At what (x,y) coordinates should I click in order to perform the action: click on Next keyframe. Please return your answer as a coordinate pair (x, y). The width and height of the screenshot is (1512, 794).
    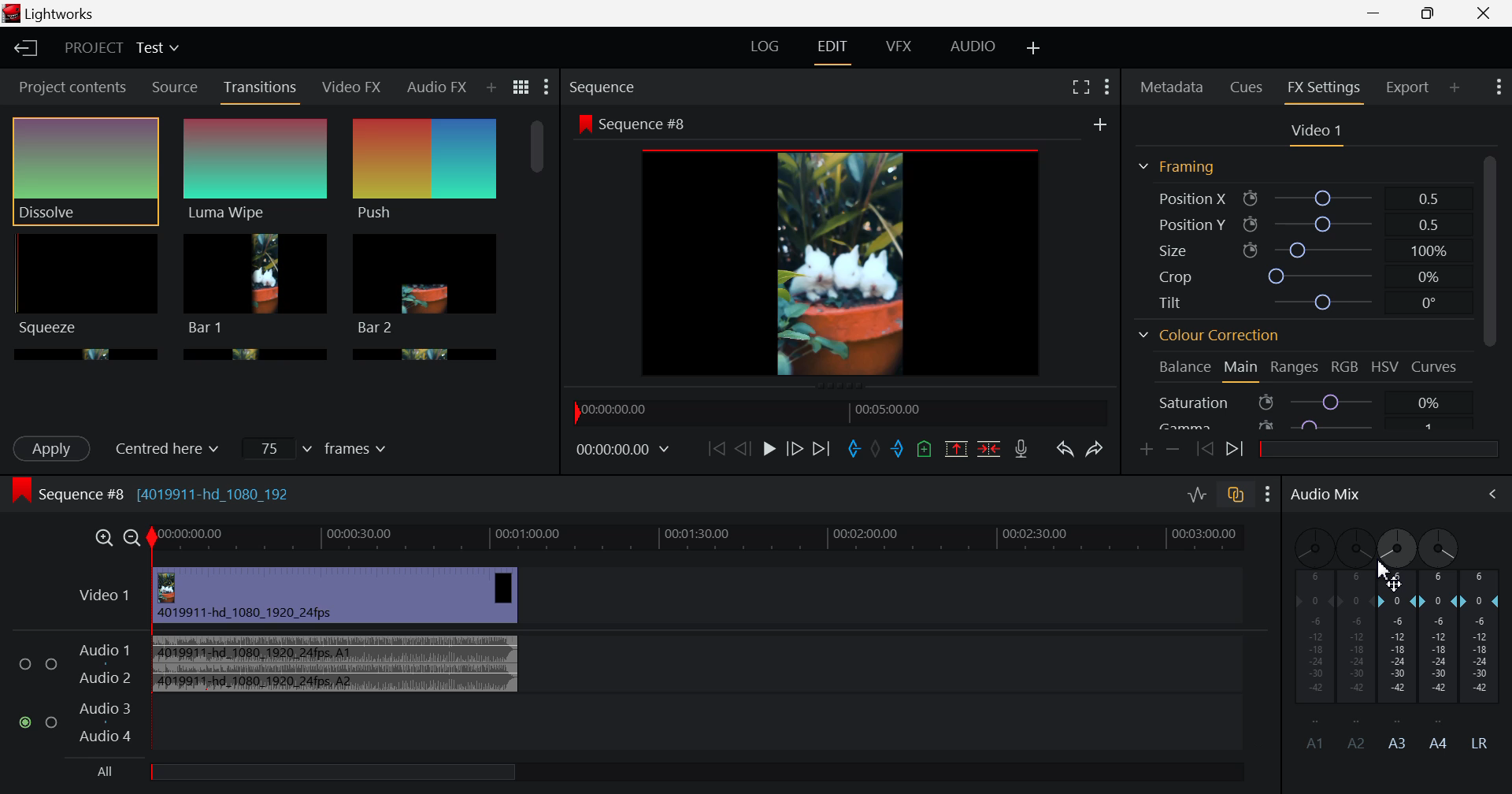
    Looking at the image, I should click on (1235, 451).